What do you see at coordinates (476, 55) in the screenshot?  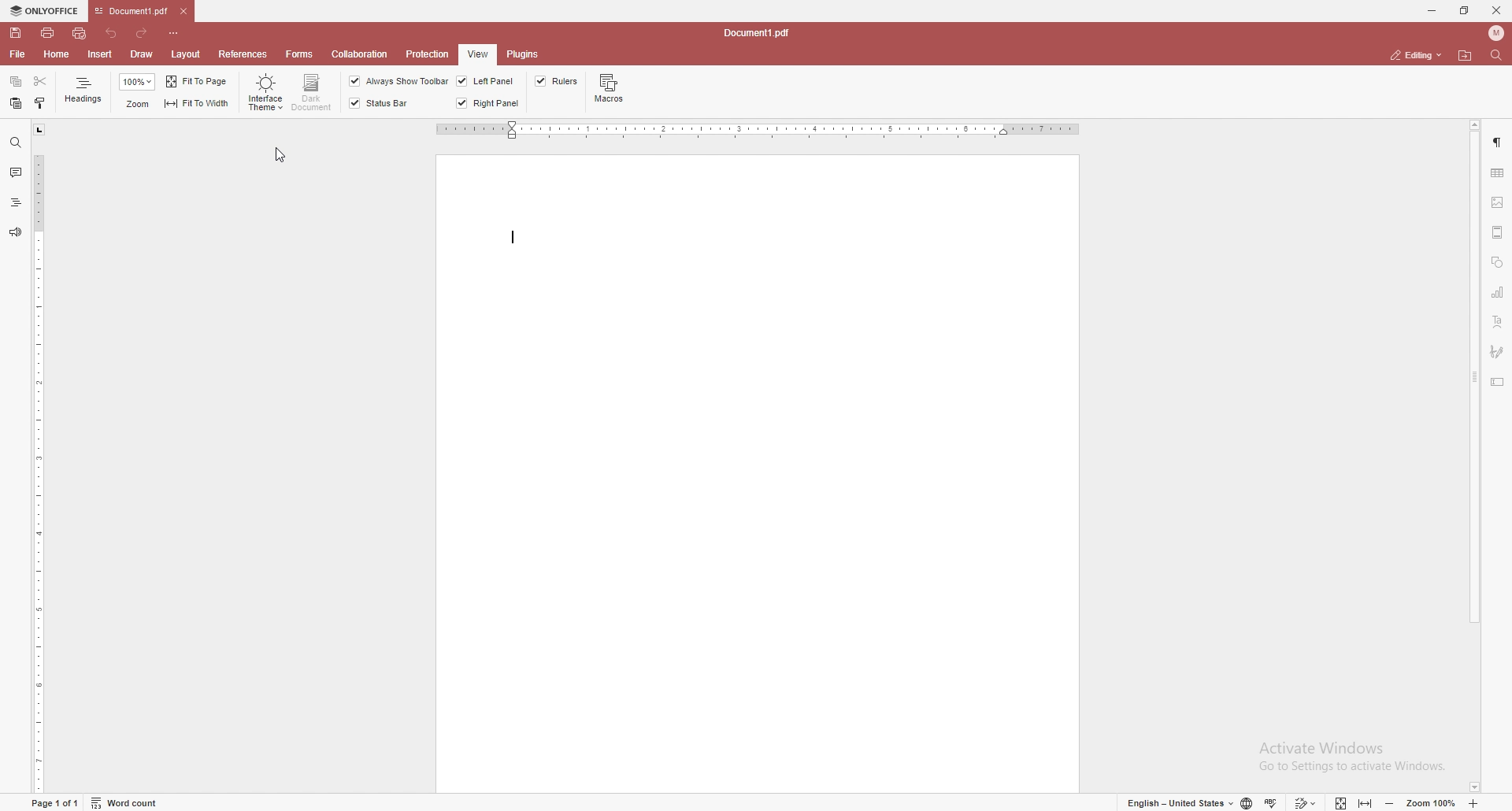 I see `view` at bounding box center [476, 55].